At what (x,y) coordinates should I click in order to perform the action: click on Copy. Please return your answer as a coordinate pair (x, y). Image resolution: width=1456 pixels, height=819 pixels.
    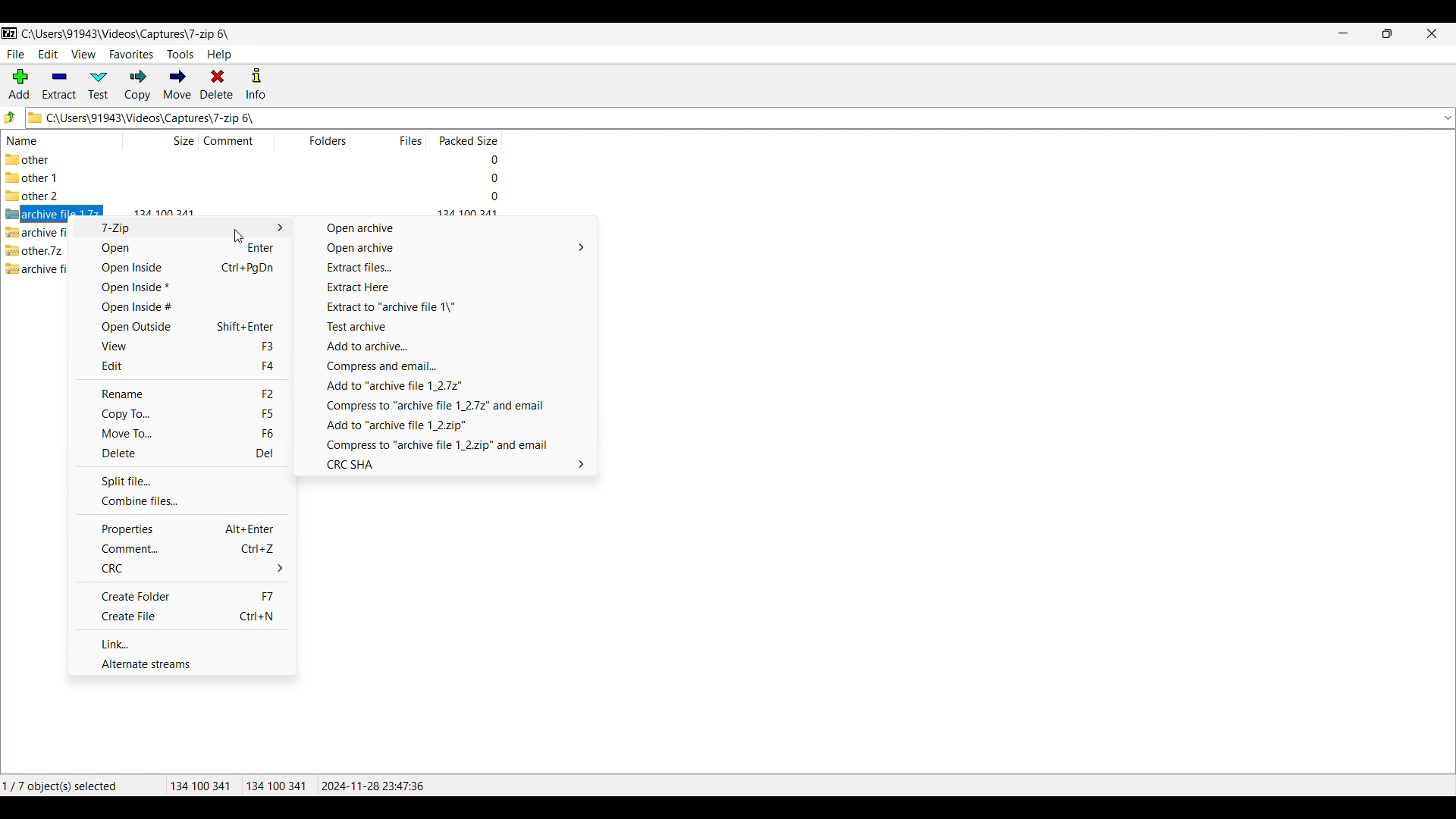
    Looking at the image, I should click on (137, 85).